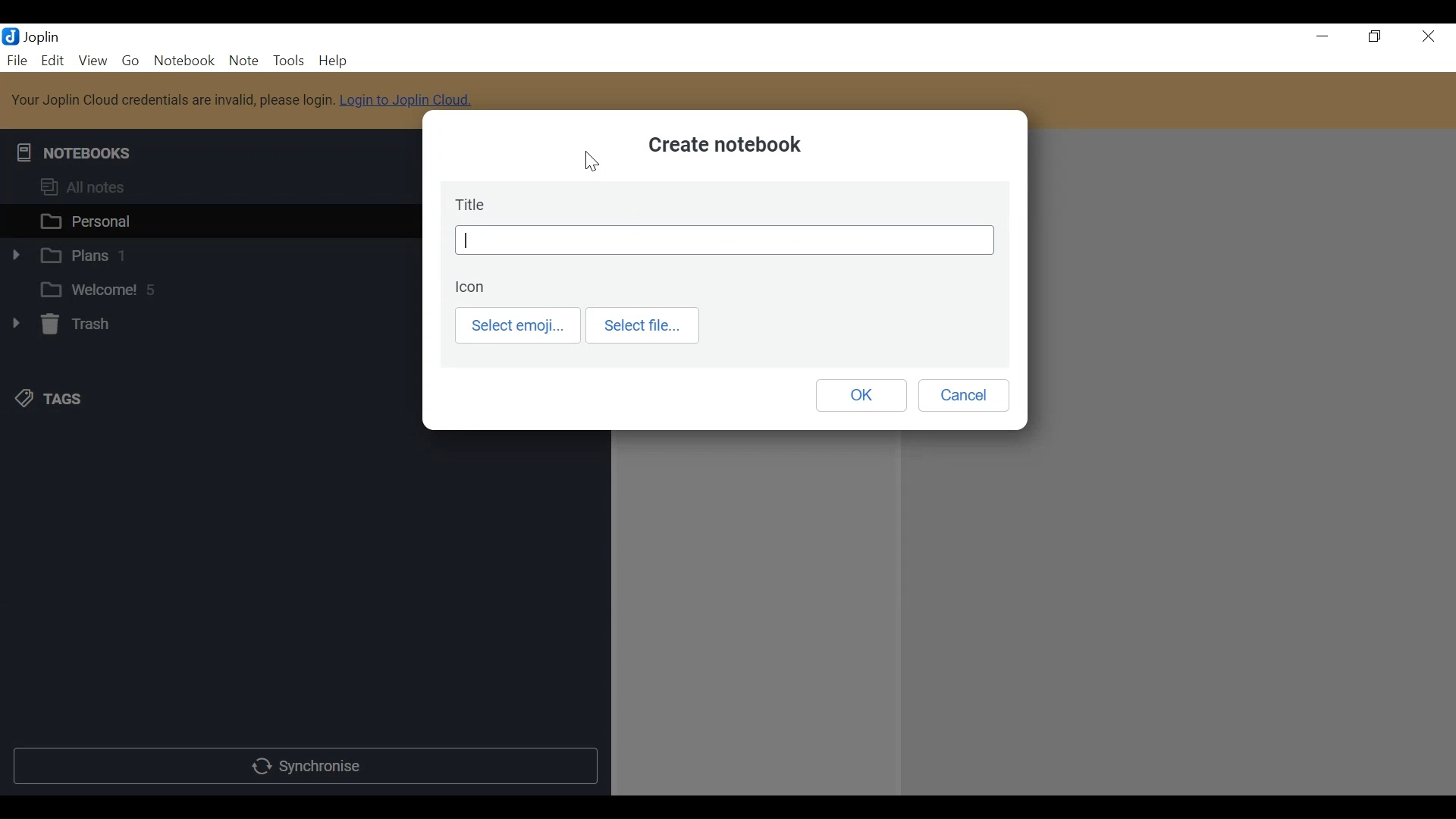 The height and width of the screenshot is (819, 1456). What do you see at coordinates (1323, 36) in the screenshot?
I see `Minimize` at bounding box center [1323, 36].